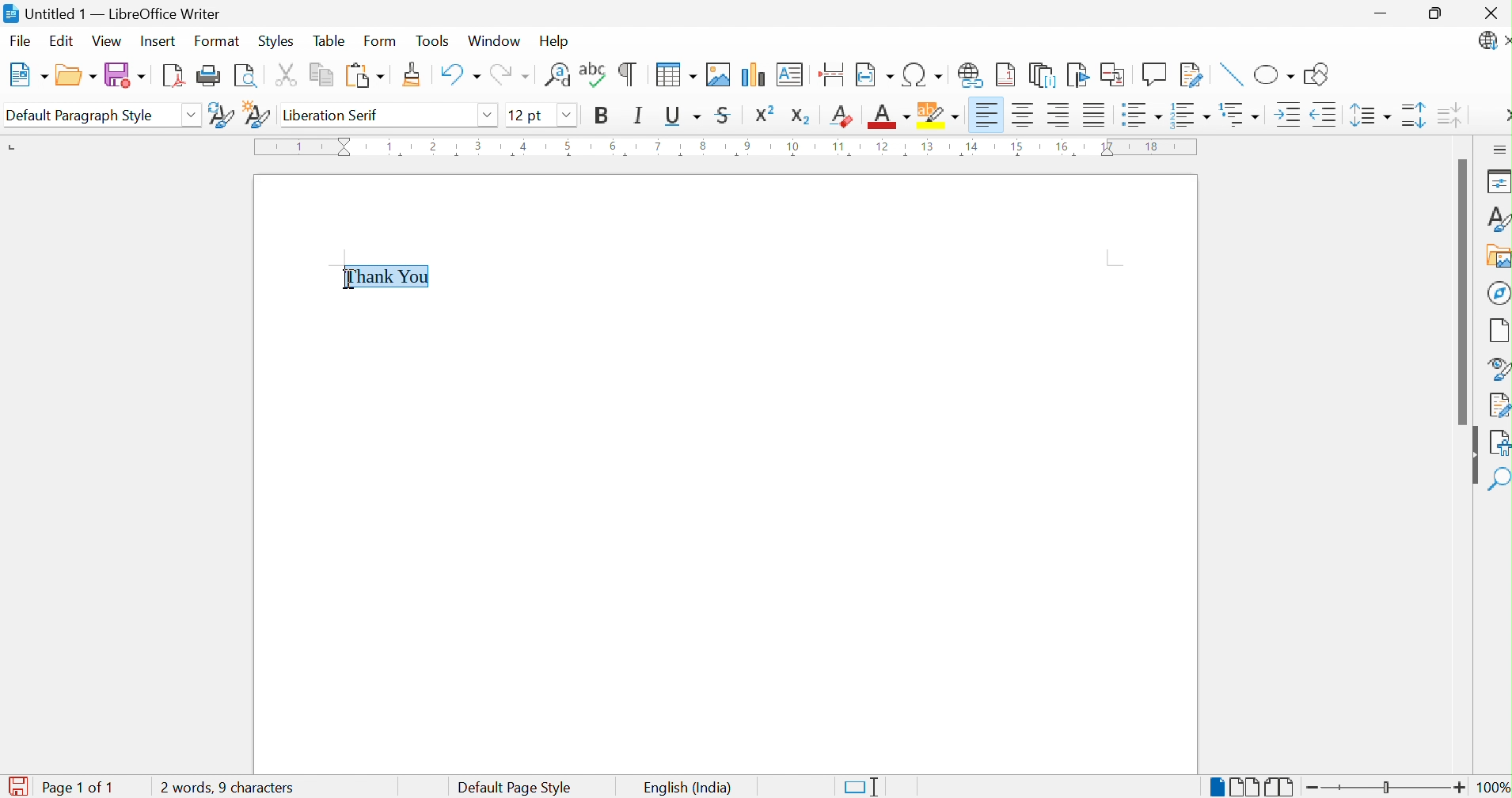 The height and width of the screenshot is (798, 1512). Describe the element at coordinates (1488, 12) in the screenshot. I see `Close` at that location.